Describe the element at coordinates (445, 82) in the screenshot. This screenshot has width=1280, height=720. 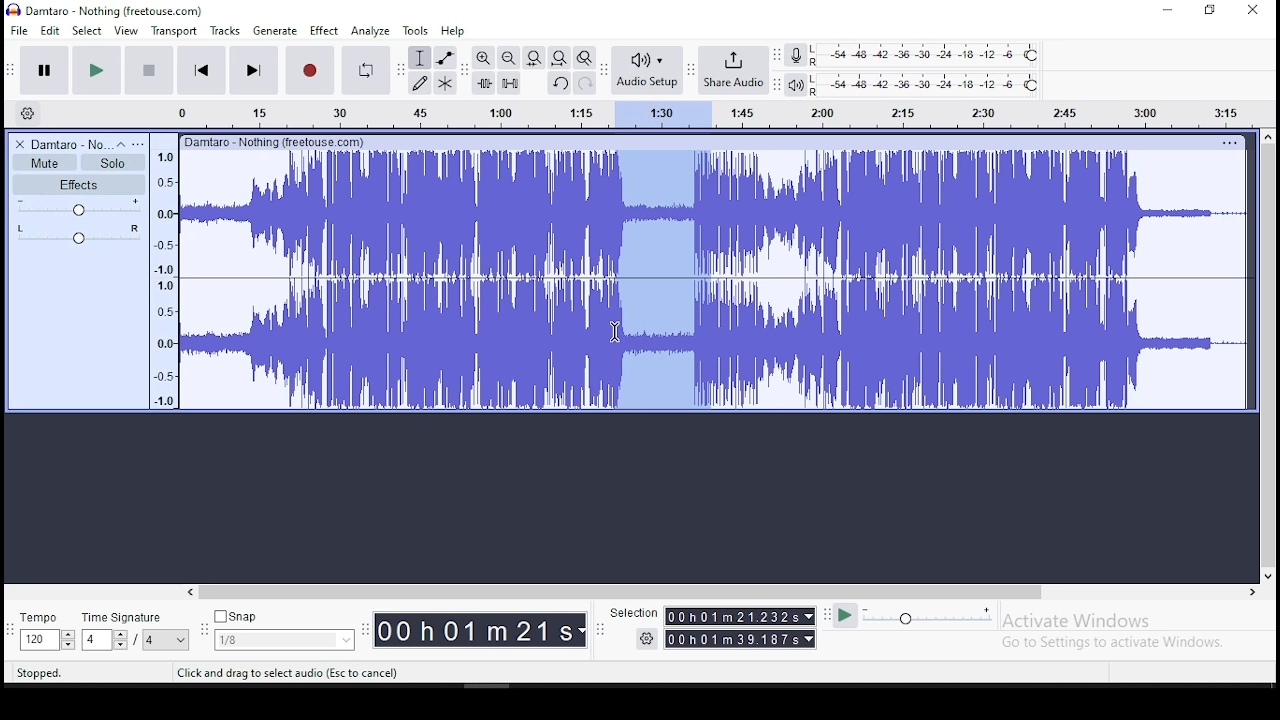
I see `multi tool` at that location.